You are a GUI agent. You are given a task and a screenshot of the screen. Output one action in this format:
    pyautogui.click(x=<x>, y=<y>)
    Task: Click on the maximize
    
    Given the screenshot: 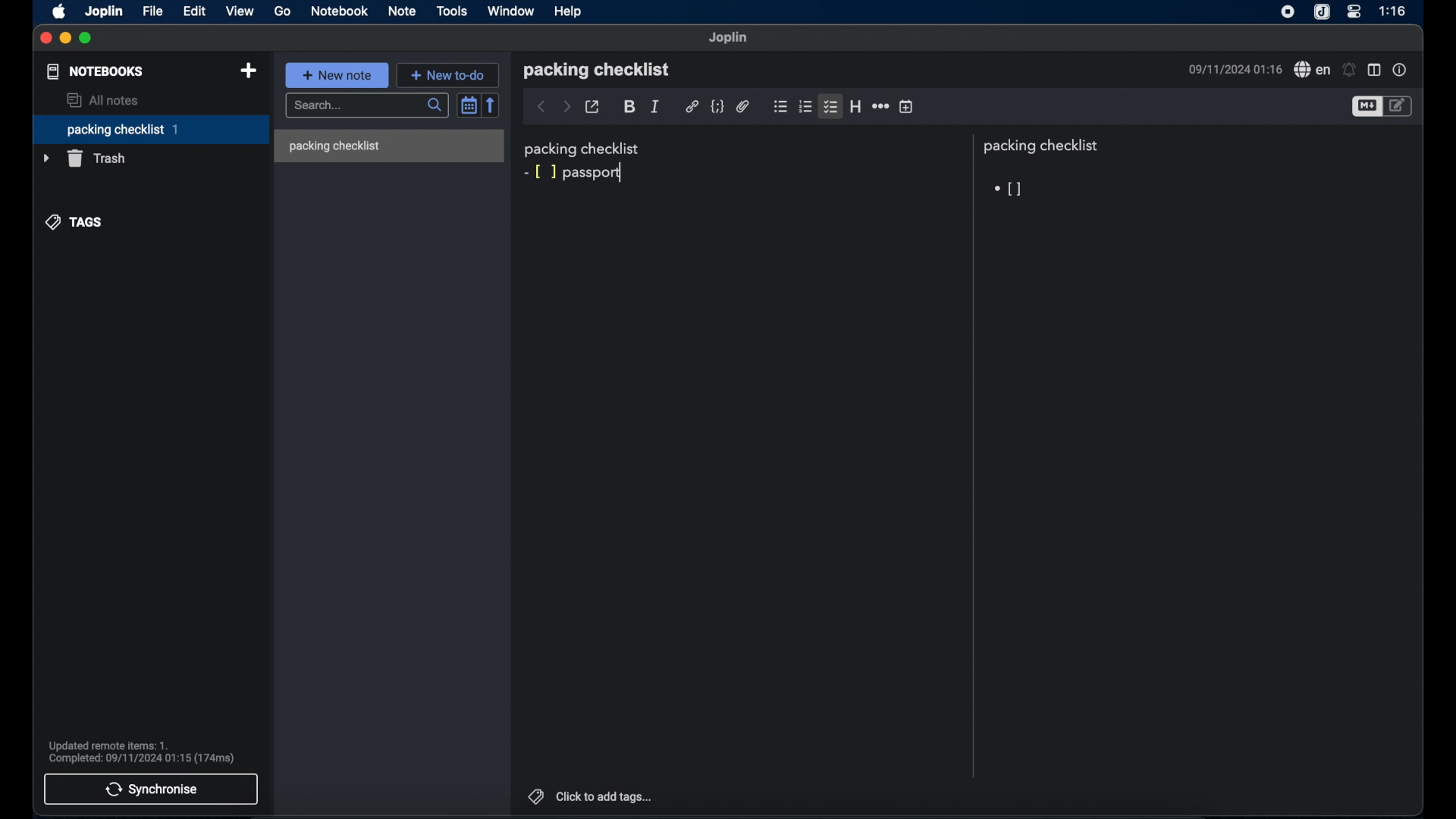 What is the action you would take?
    pyautogui.click(x=86, y=39)
    